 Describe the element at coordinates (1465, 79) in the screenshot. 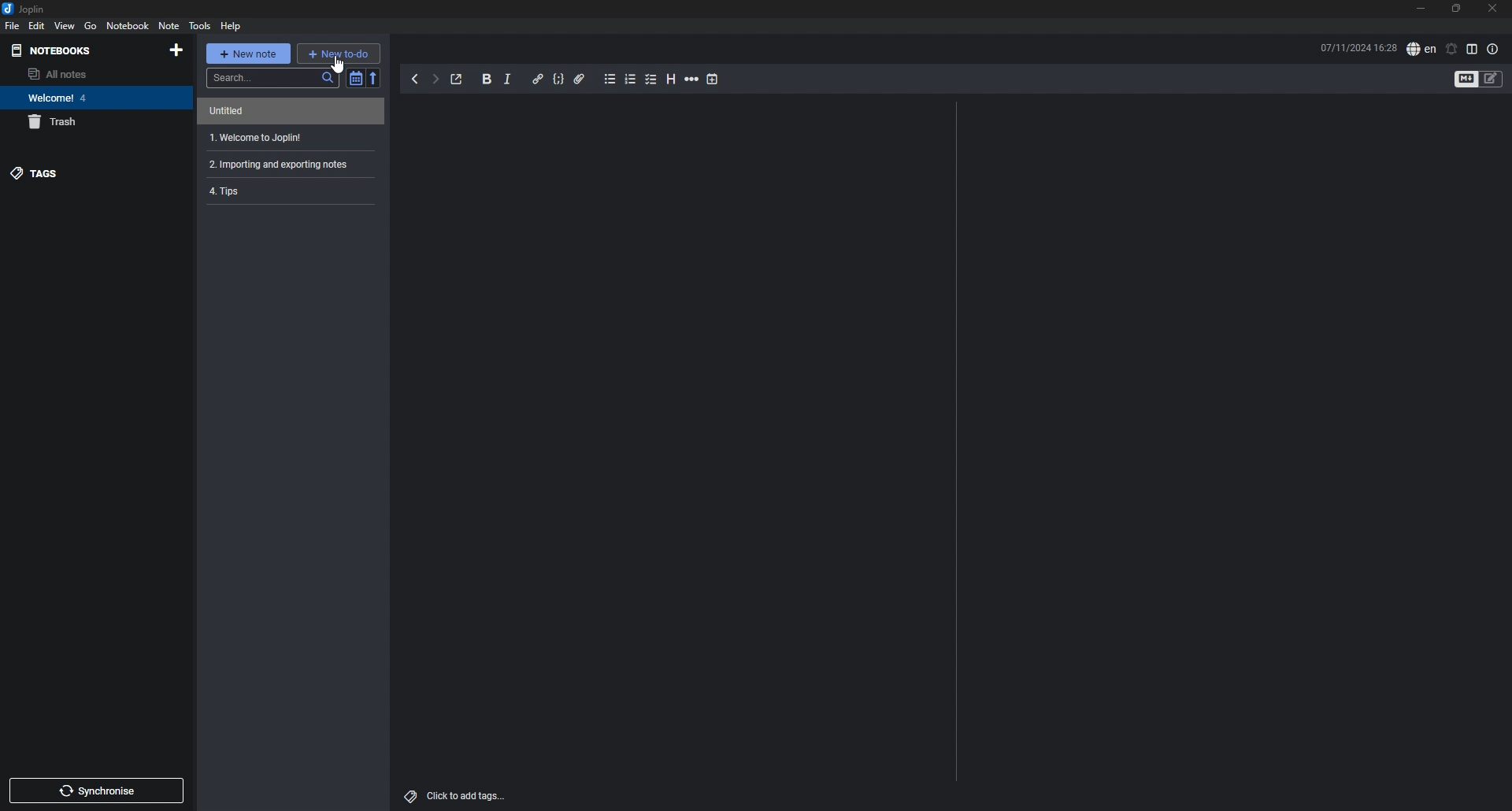

I see `toggle editor` at that location.